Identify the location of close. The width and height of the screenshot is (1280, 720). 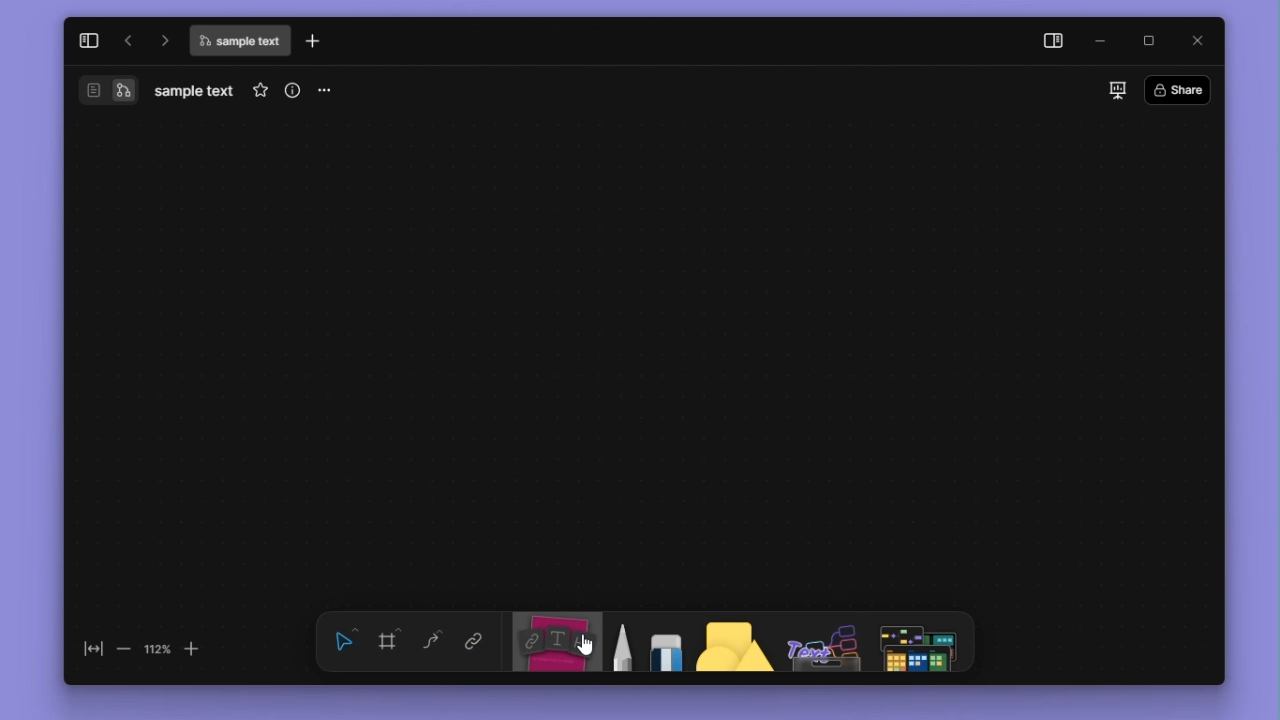
(1197, 41).